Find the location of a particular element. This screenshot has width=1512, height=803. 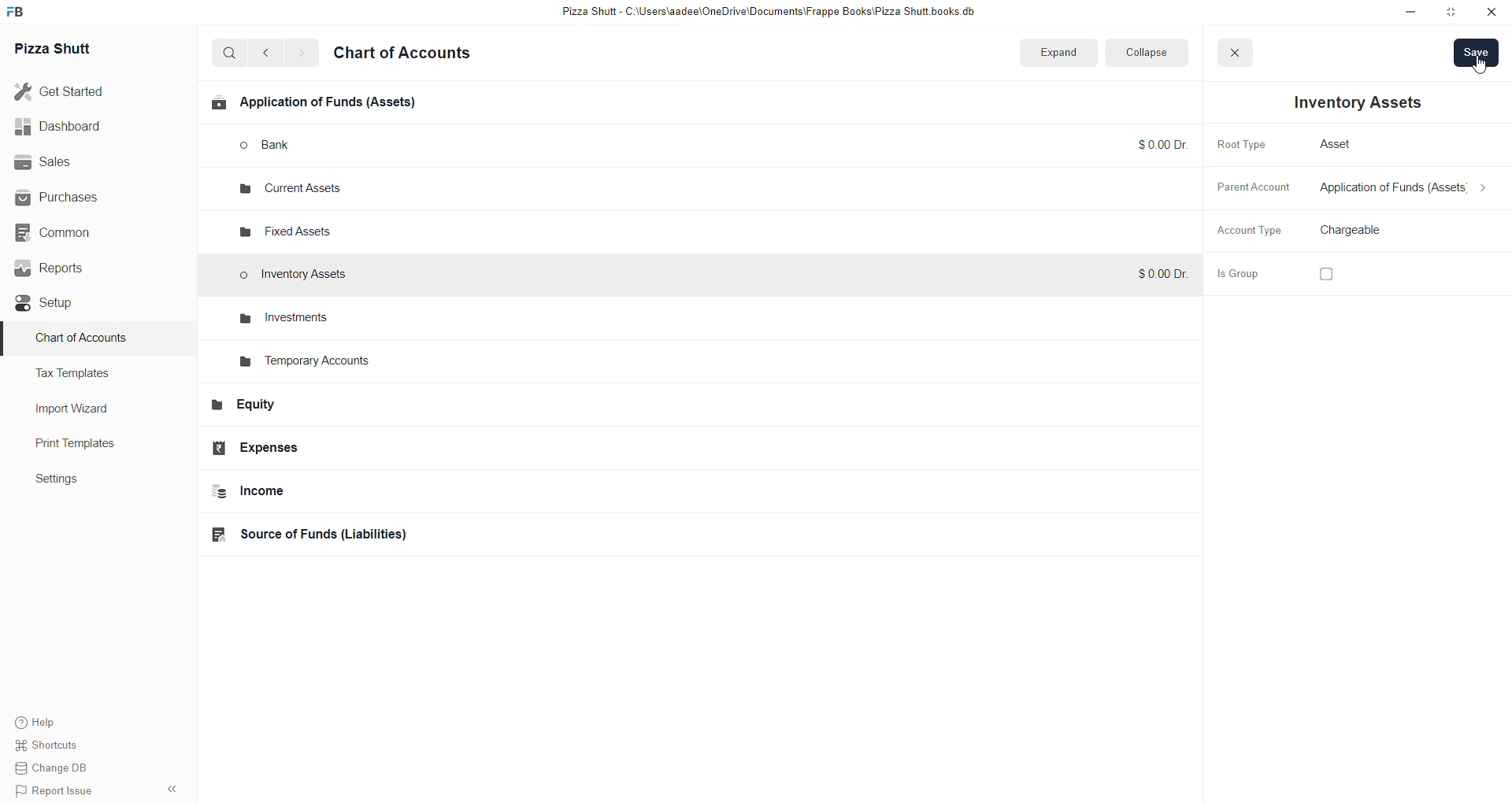

Account Type is located at coordinates (1240, 231).